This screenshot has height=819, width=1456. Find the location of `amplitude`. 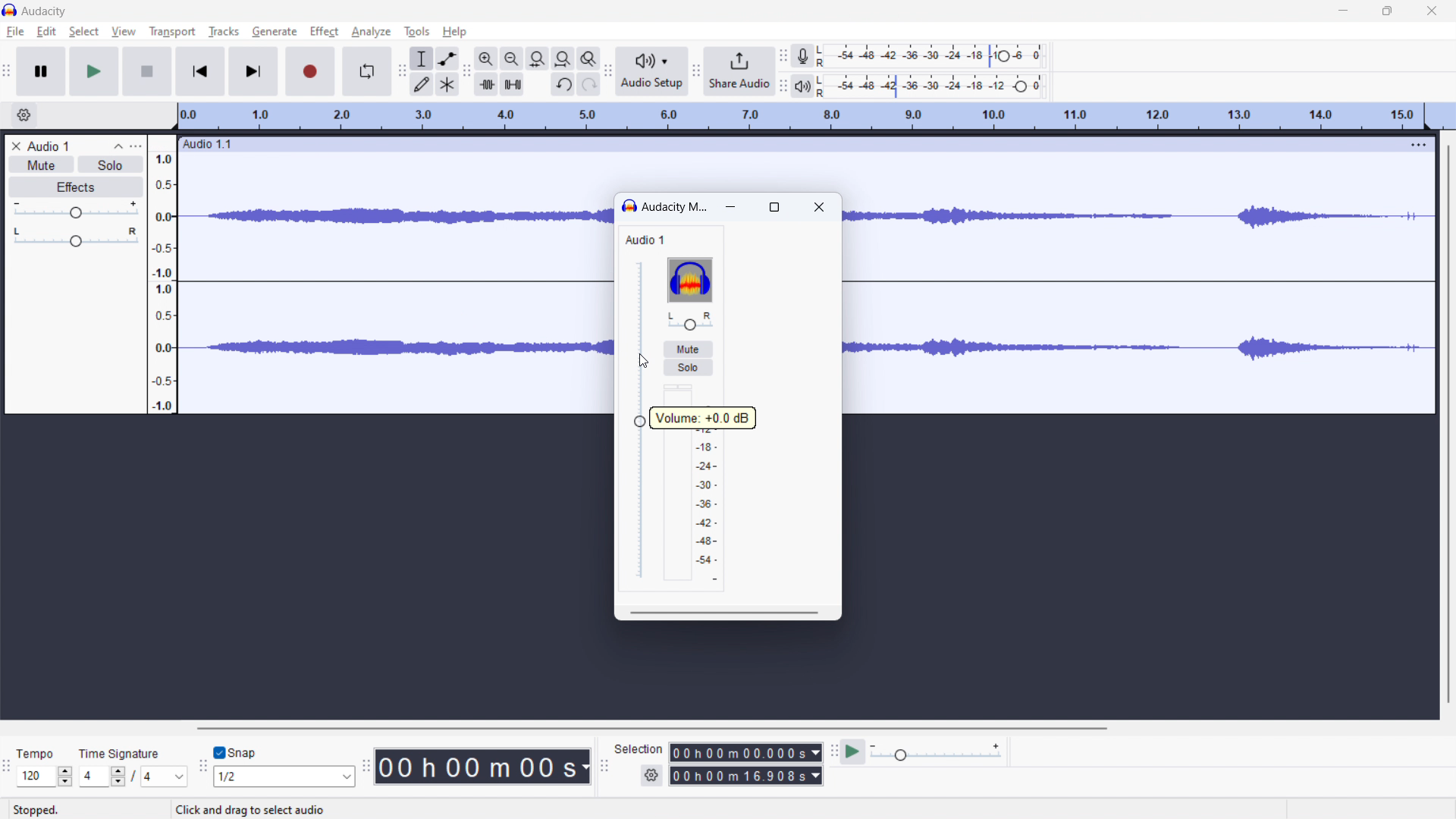

amplitude is located at coordinates (163, 275).